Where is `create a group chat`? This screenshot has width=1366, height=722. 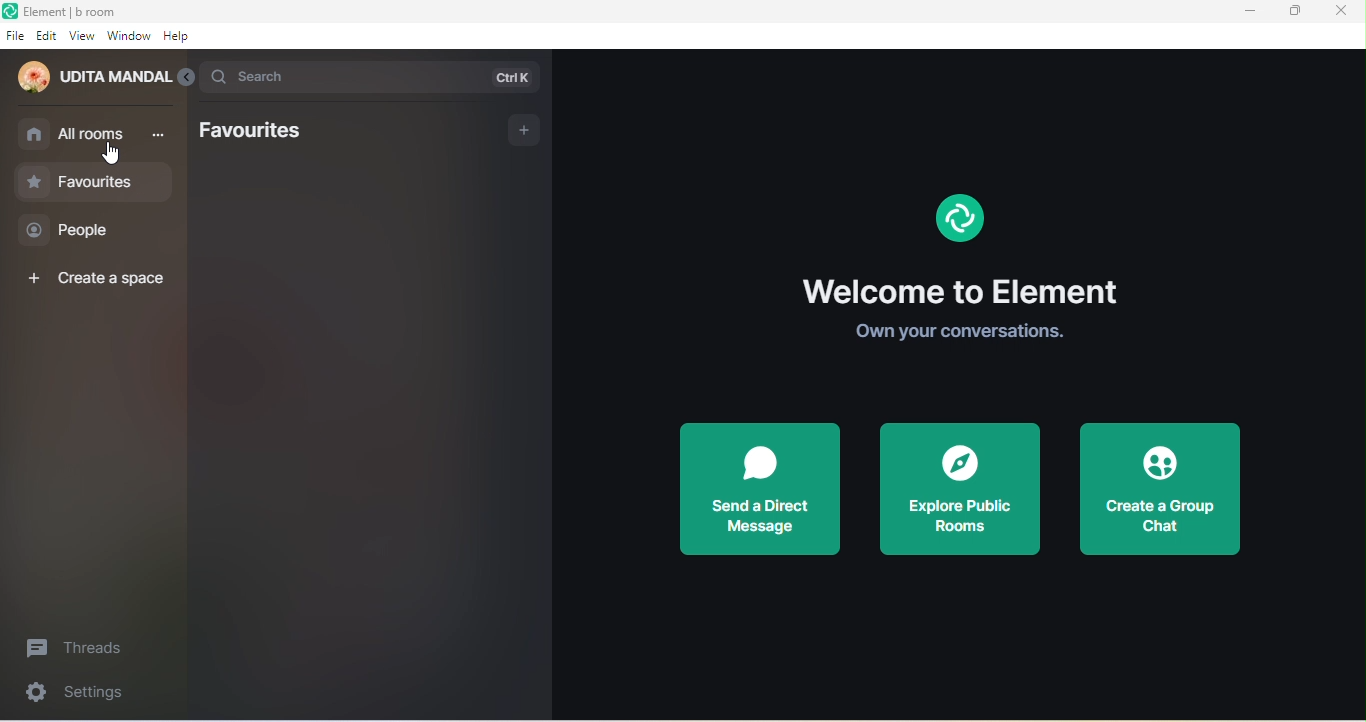 create a group chat is located at coordinates (1171, 488).